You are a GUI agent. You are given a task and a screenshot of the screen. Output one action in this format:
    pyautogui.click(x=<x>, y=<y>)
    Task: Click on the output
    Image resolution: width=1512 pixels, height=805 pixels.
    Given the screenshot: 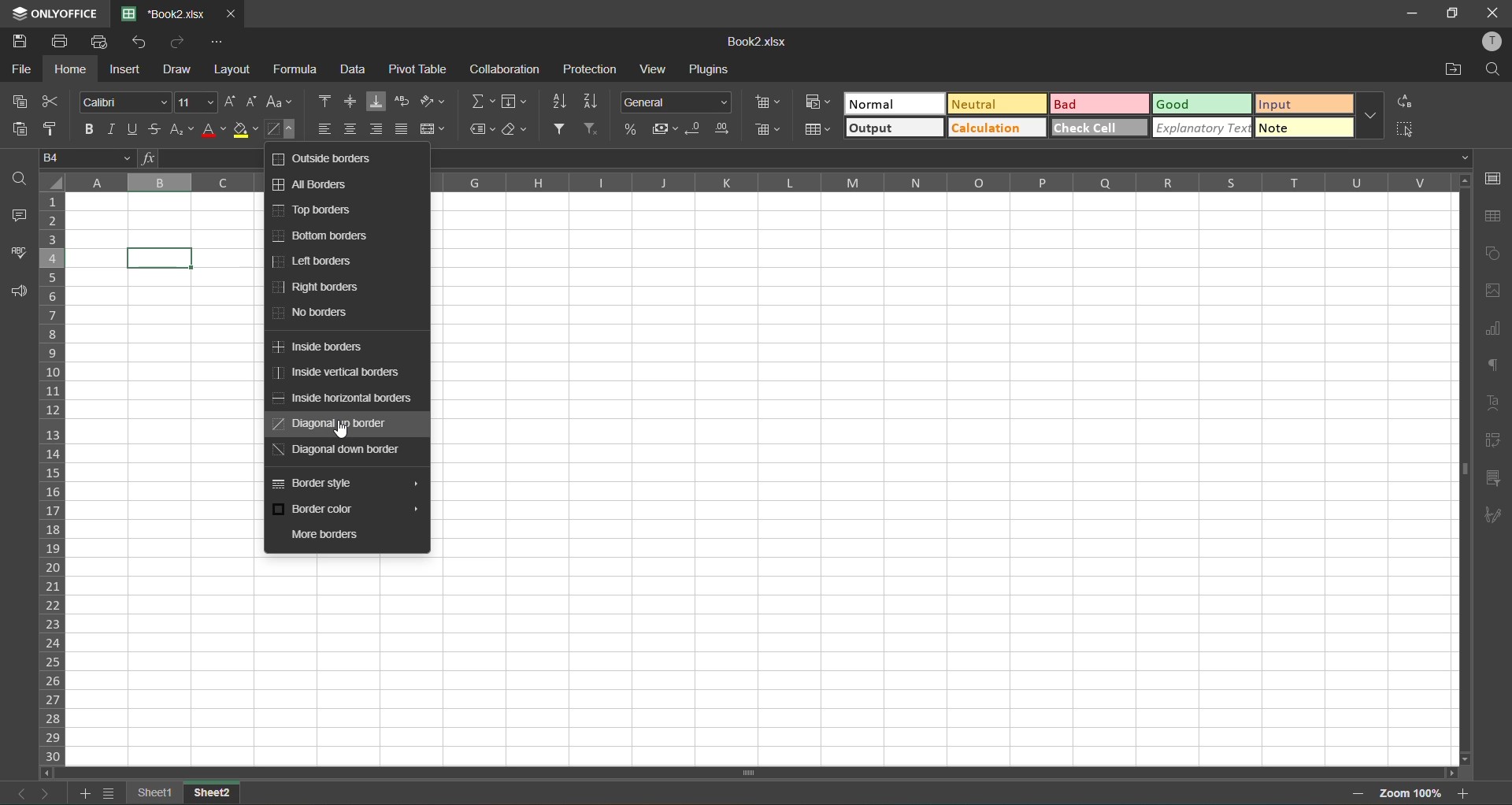 What is the action you would take?
    pyautogui.click(x=897, y=128)
    